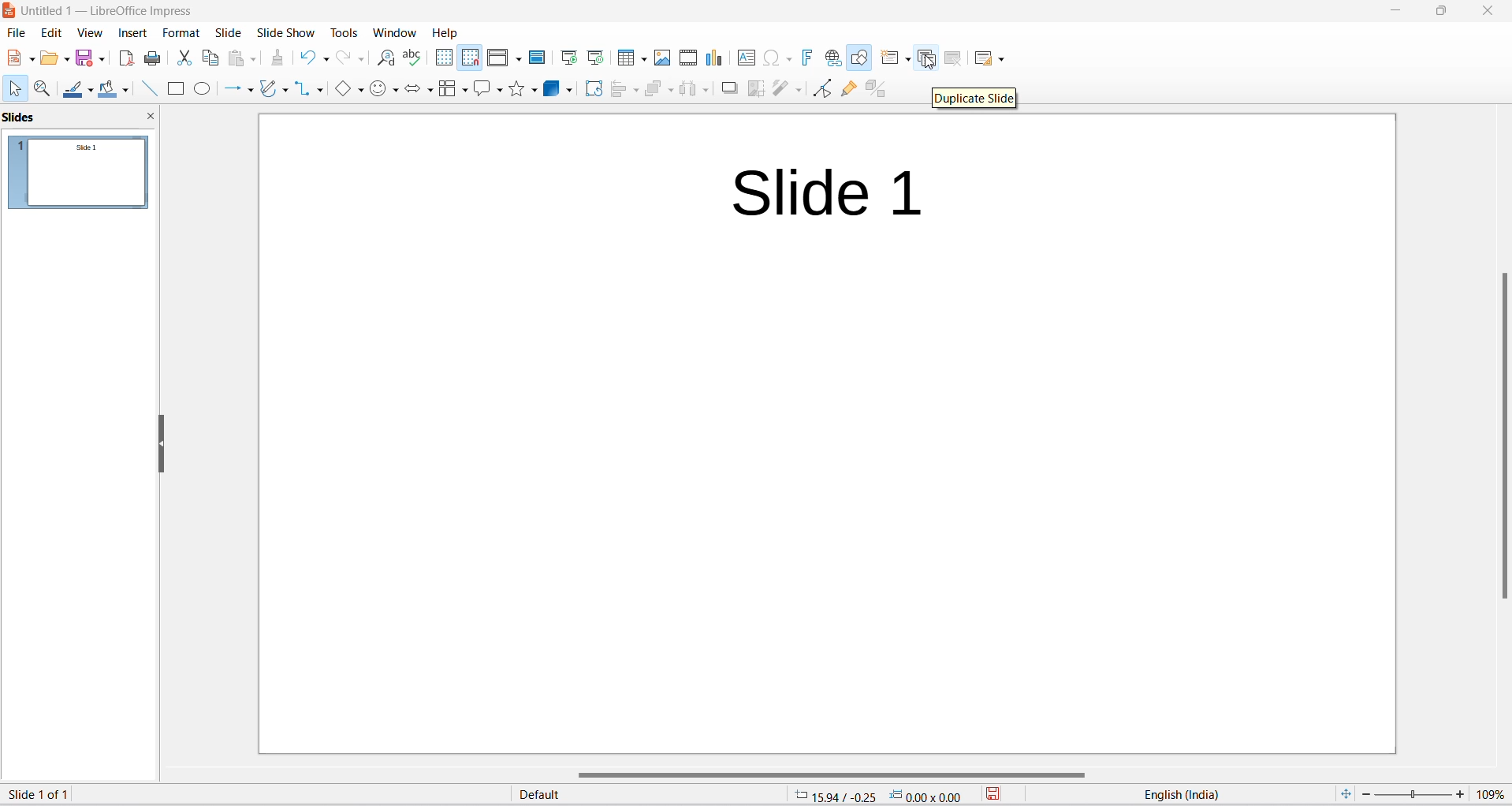 The height and width of the screenshot is (806, 1512). What do you see at coordinates (567, 57) in the screenshot?
I see `start from first slide` at bounding box center [567, 57].